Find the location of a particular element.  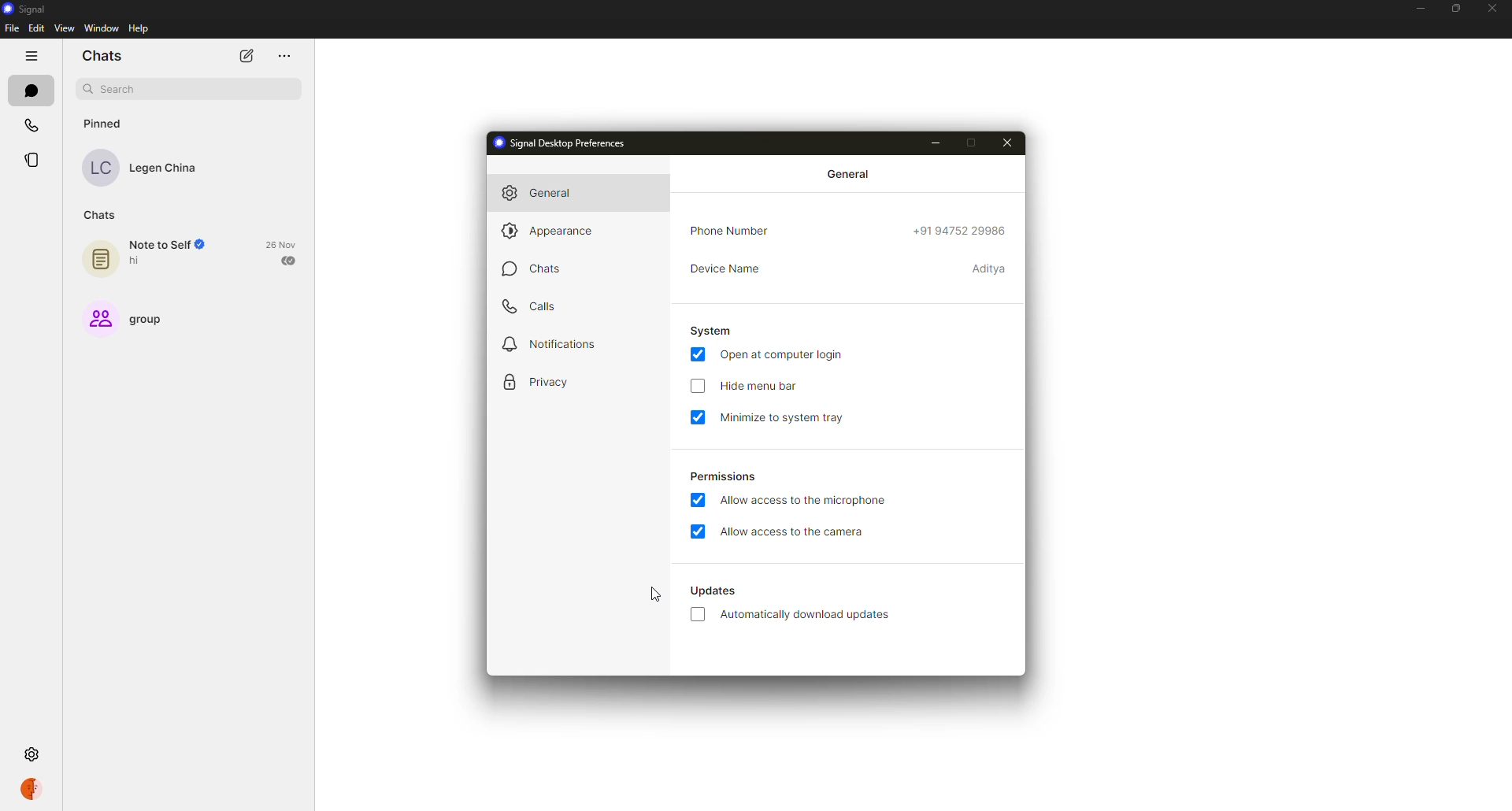

help is located at coordinates (140, 28).